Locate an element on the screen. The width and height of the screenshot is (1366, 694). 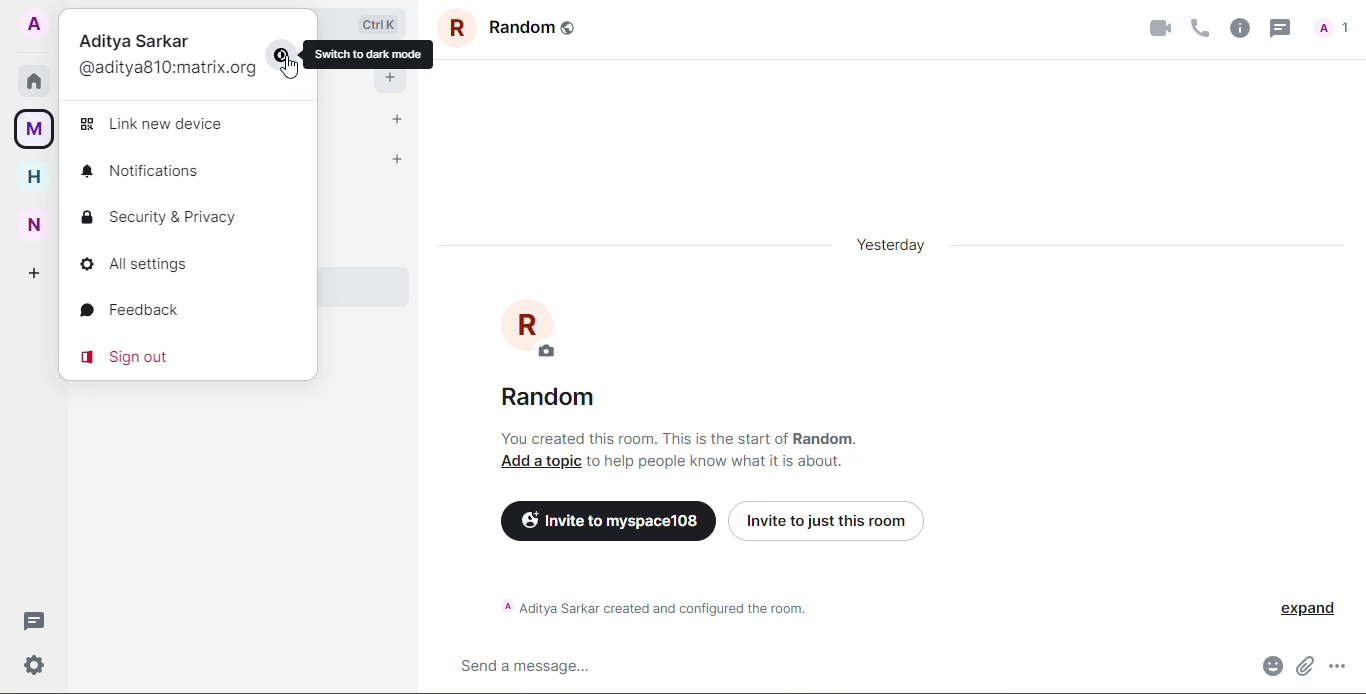
day is located at coordinates (891, 244).